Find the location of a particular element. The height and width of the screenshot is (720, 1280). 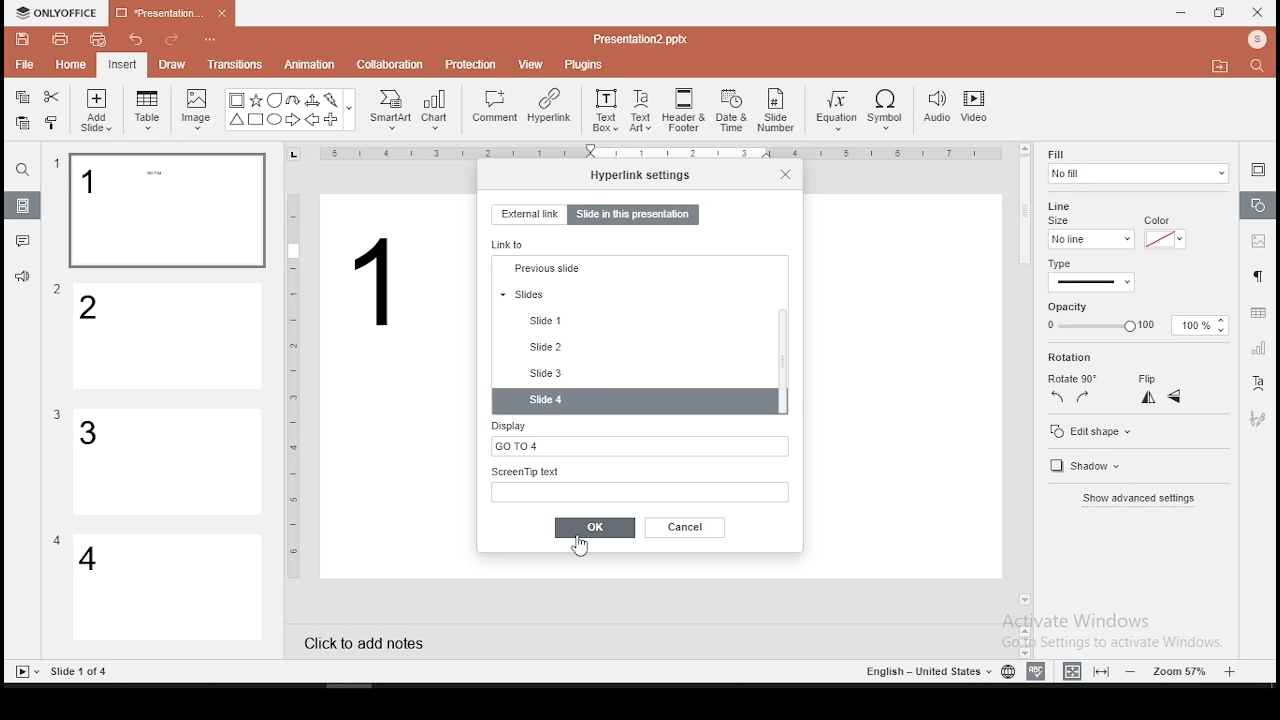

 is located at coordinates (294, 384).